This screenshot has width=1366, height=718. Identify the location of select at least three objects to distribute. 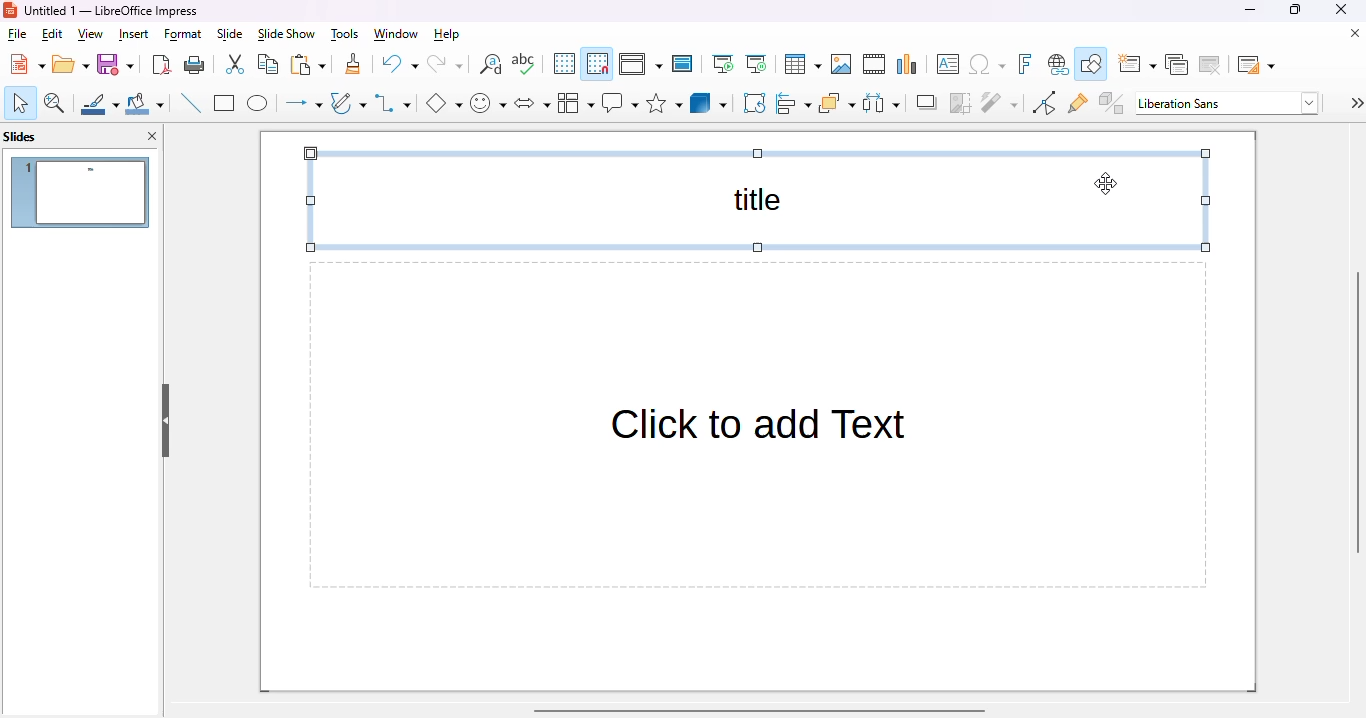
(881, 103).